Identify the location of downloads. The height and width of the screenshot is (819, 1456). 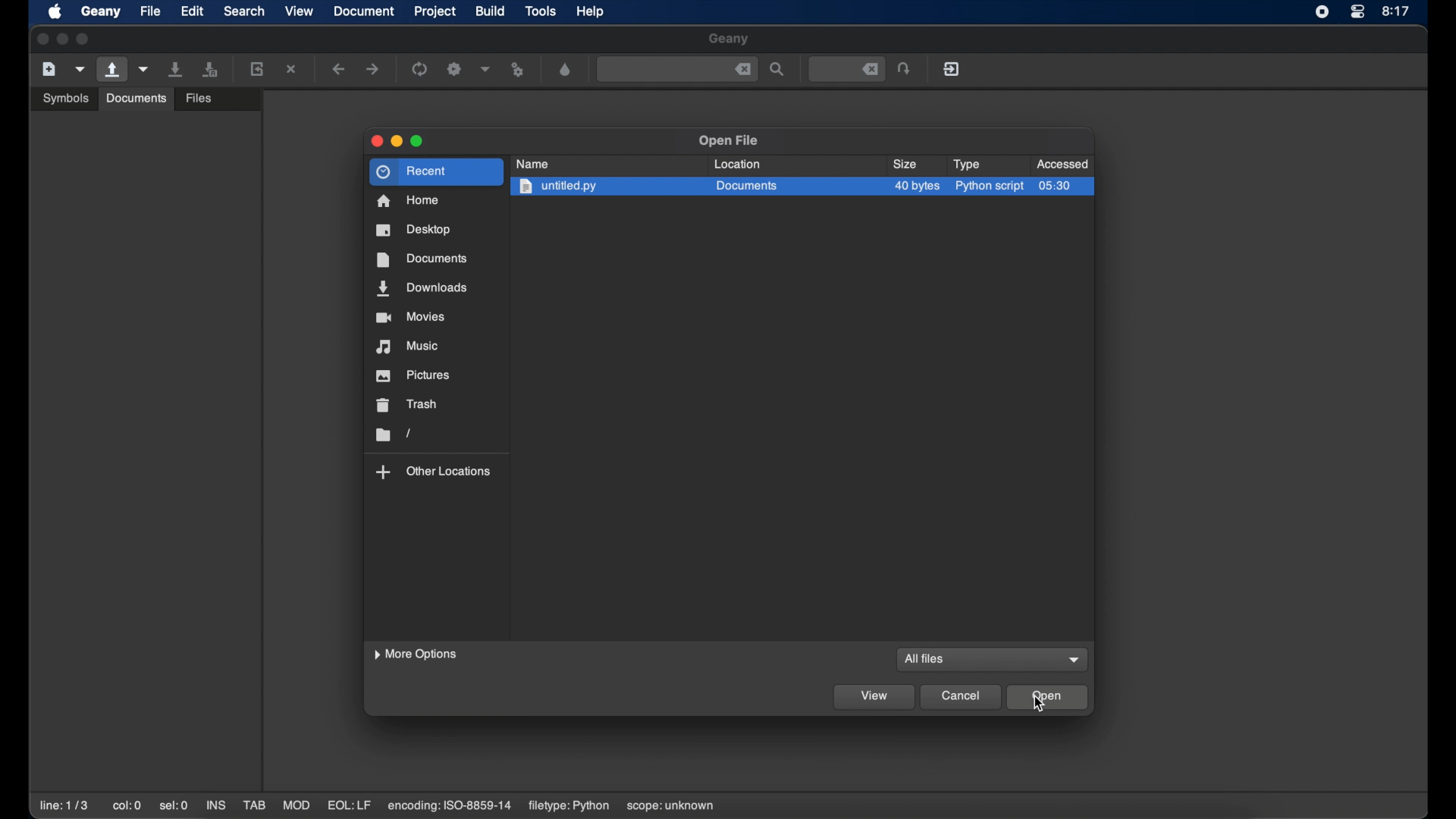
(422, 288).